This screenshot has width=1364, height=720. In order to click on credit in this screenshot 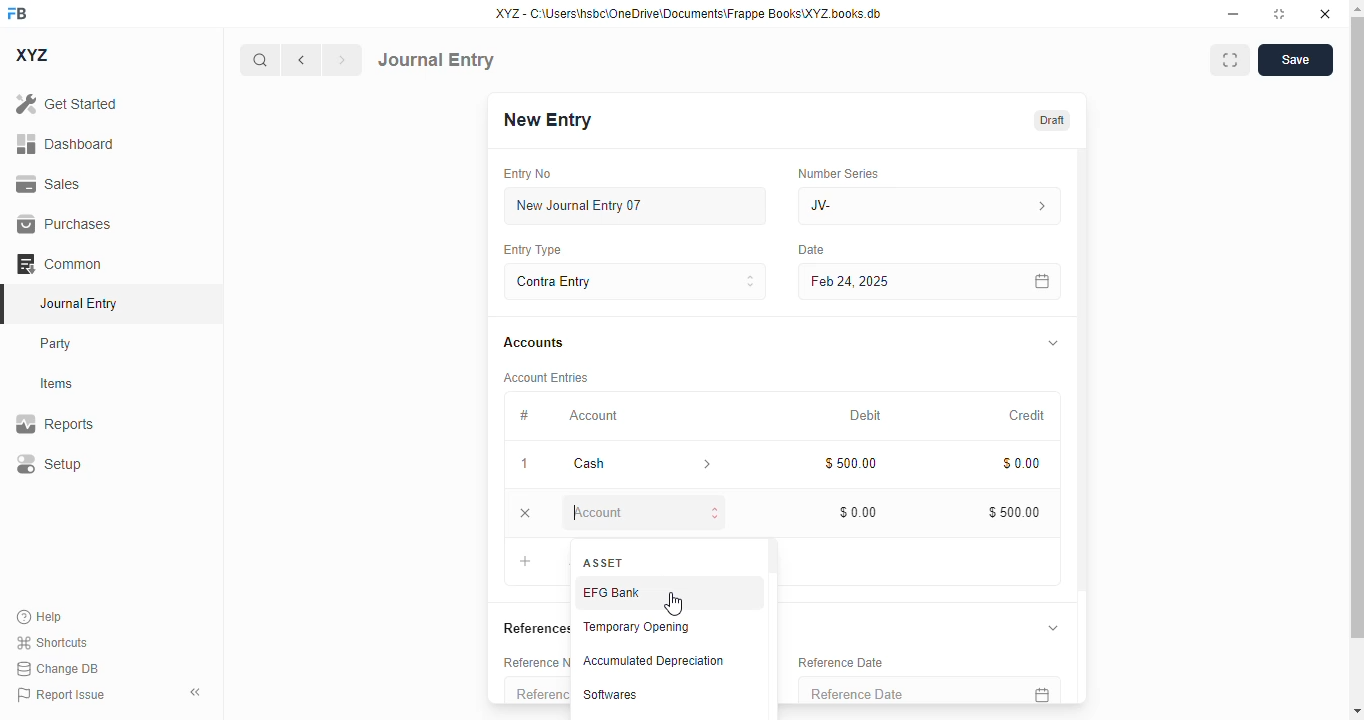, I will do `click(1027, 415)`.